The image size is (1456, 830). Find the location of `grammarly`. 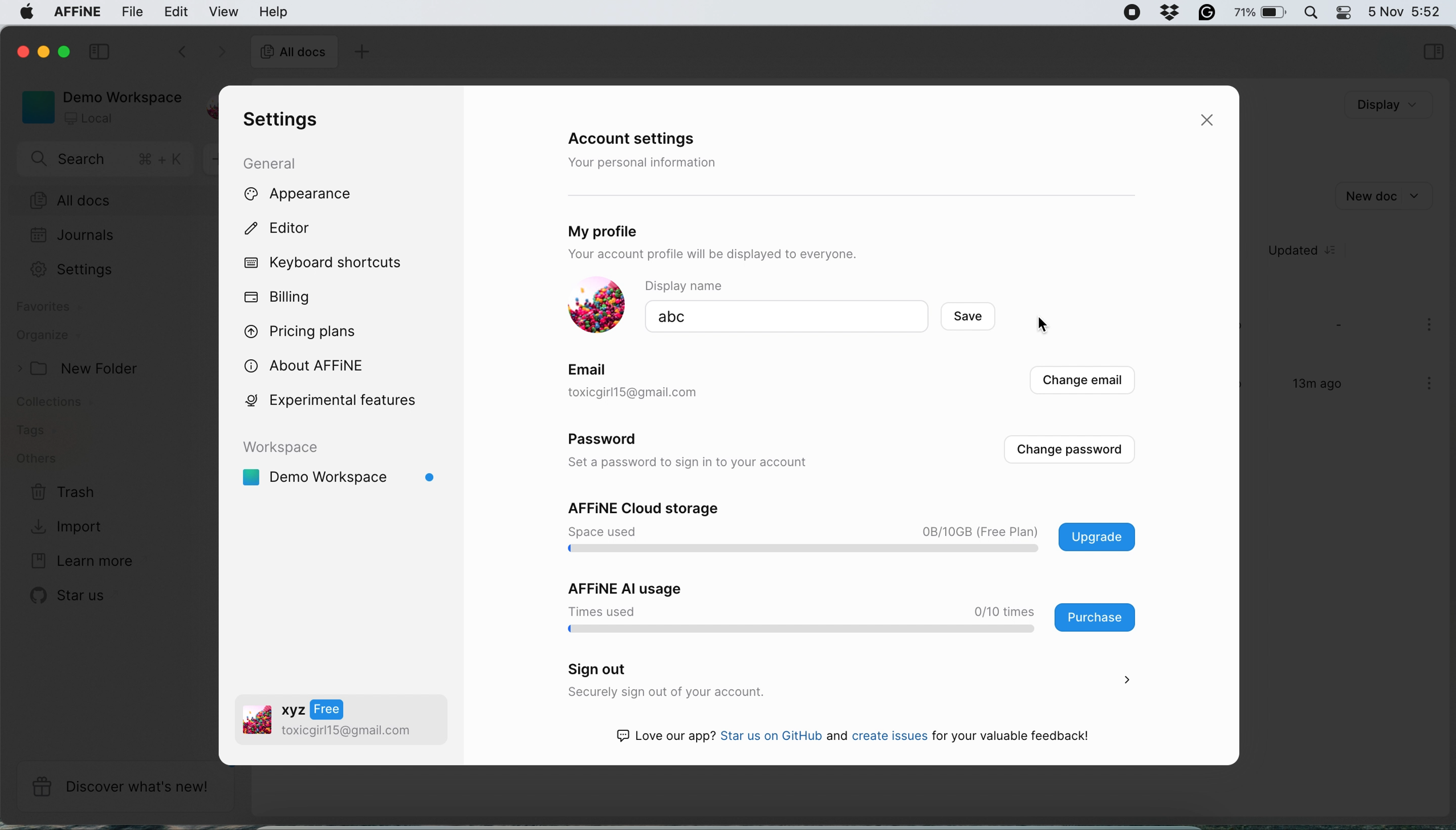

grammarly is located at coordinates (1204, 11).